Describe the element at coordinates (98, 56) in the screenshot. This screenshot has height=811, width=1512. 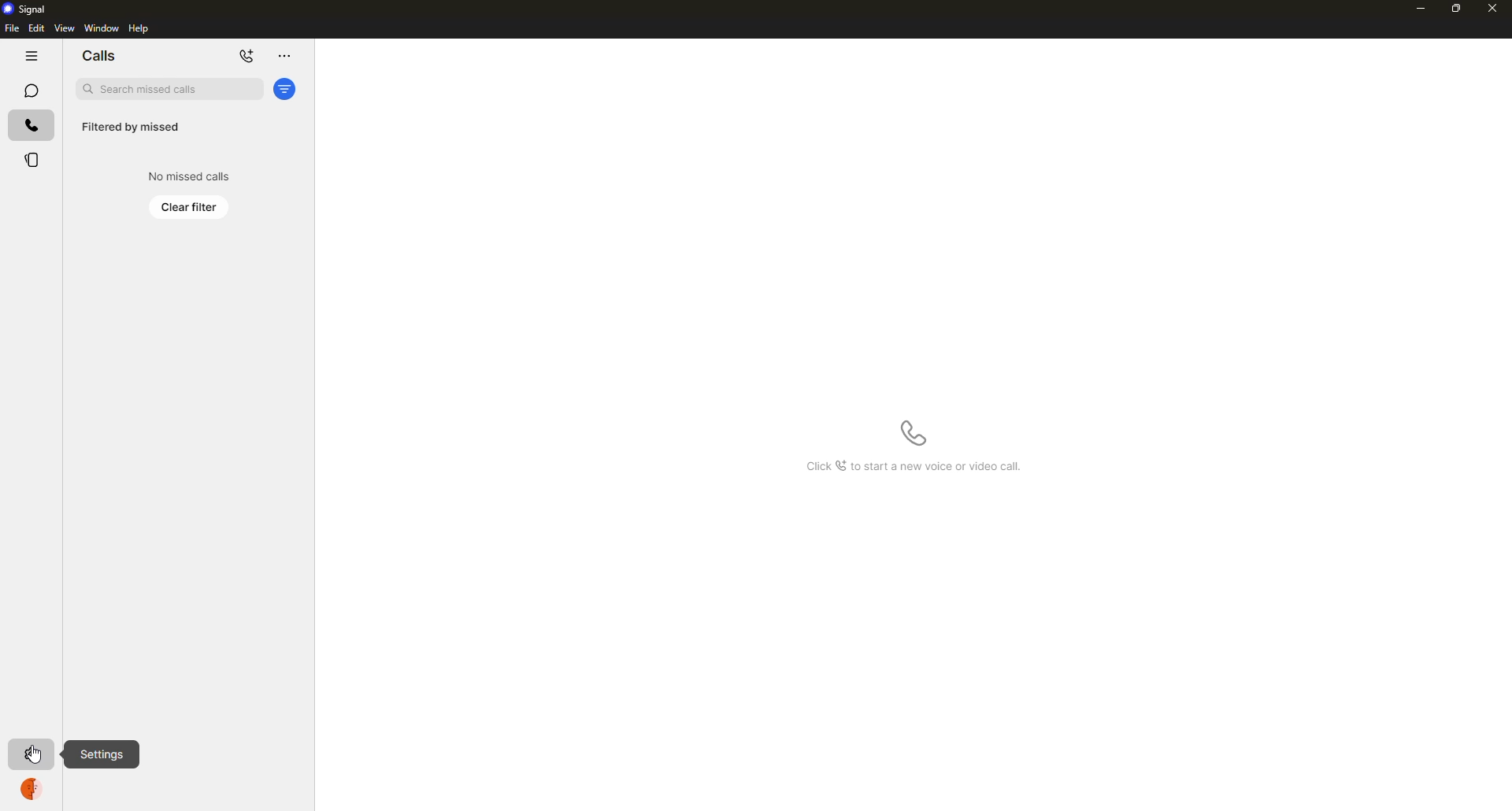
I see `calls` at that location.